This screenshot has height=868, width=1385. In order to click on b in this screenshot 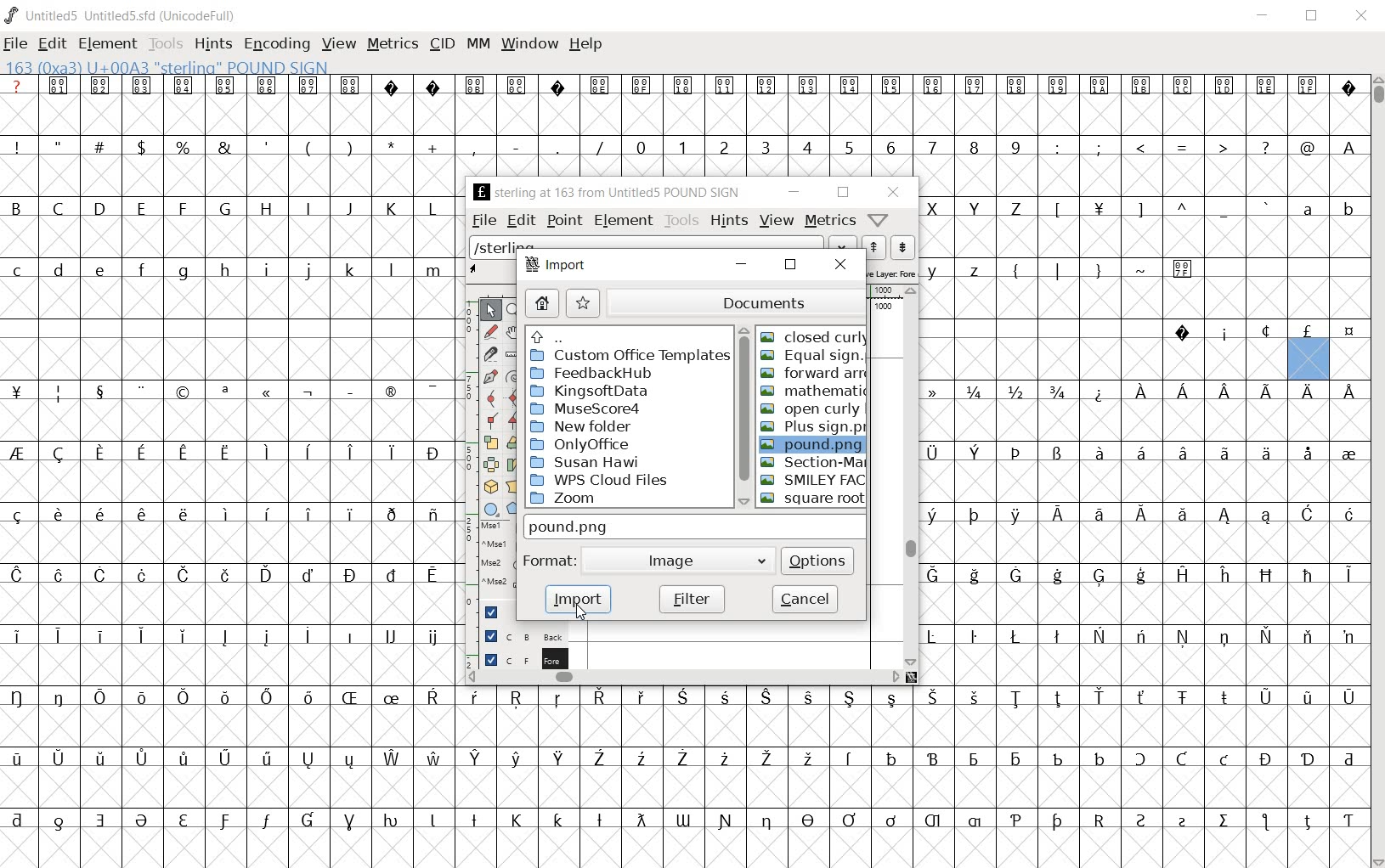, I will do `click(1347, 208)`.